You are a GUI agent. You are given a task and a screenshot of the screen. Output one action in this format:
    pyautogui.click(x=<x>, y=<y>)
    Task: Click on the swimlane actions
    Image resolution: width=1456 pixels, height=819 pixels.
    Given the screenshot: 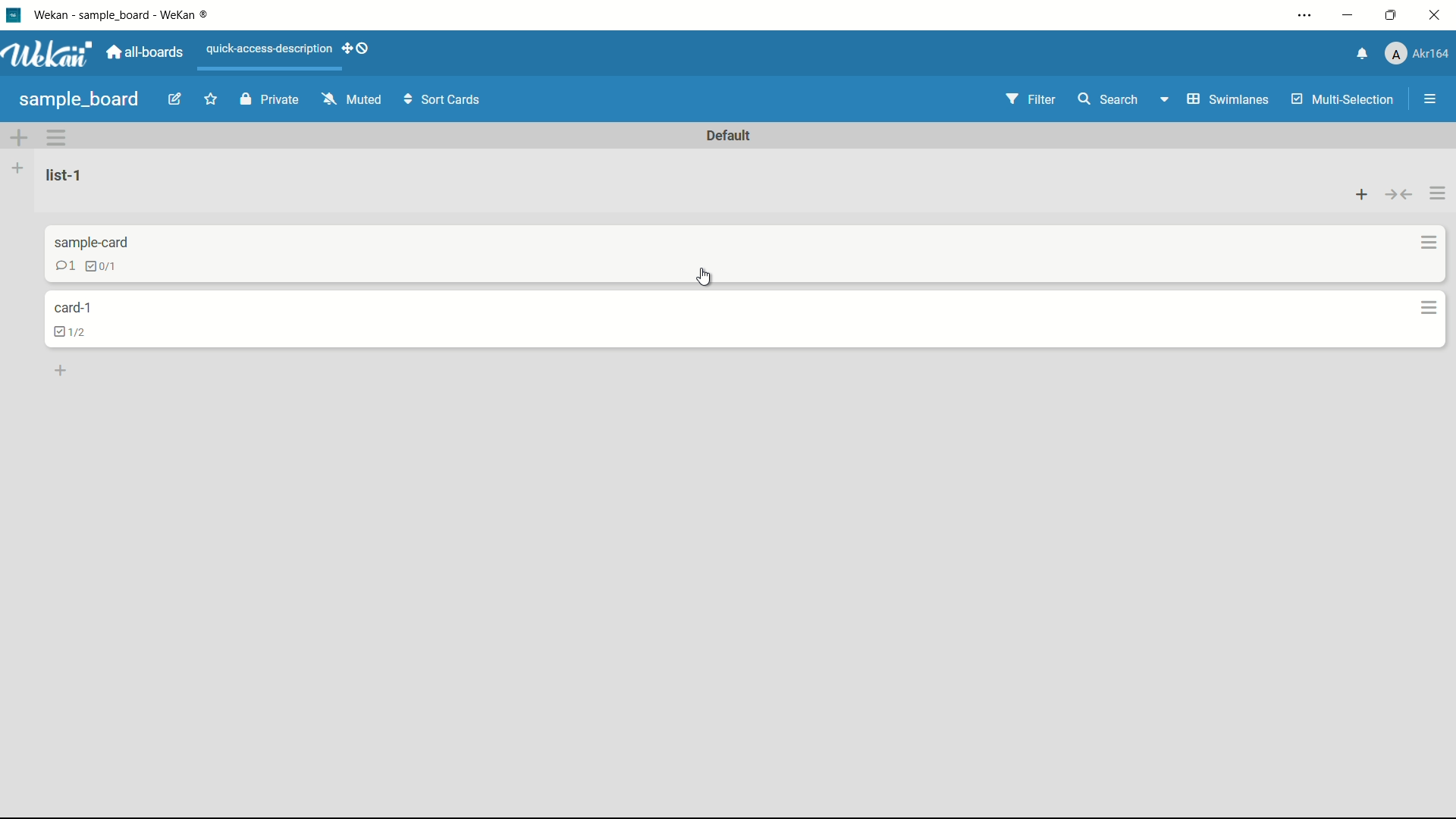 What is the action you would take?
    pyautogui.click(x=57, y=136)
    